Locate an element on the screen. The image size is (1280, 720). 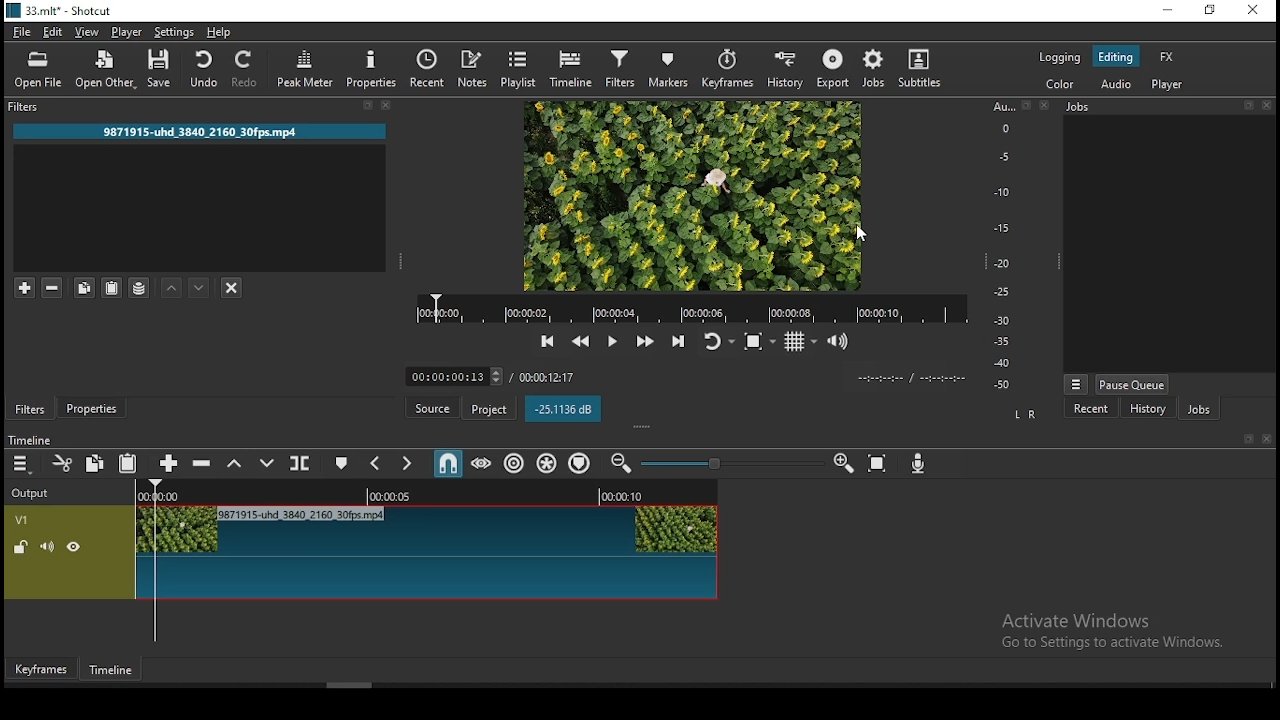
save is located at coordinates (163, 69).